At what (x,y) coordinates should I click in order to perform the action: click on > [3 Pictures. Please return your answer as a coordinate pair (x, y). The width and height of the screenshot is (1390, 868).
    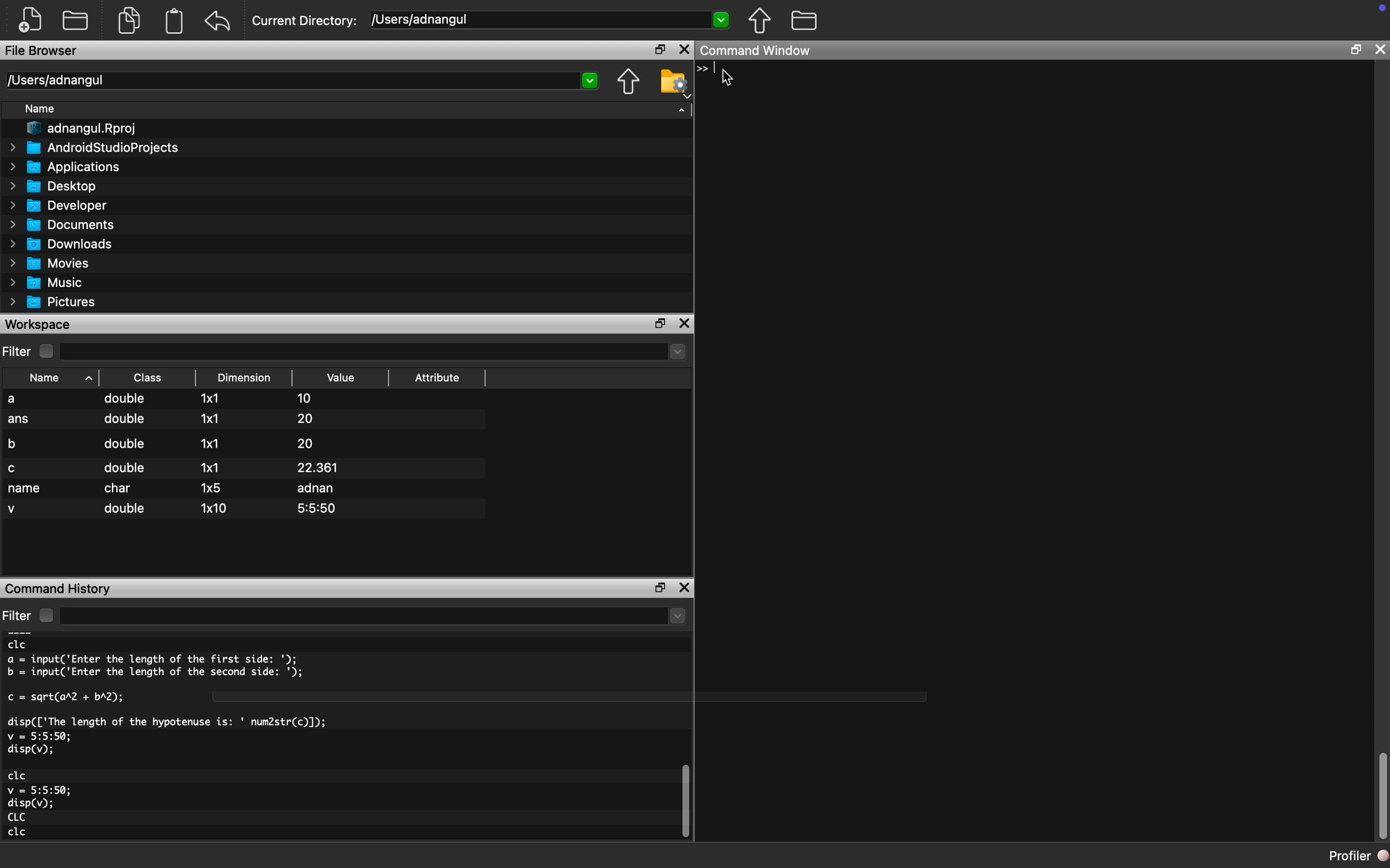
    Looking at the image, I should click on (56, 304).